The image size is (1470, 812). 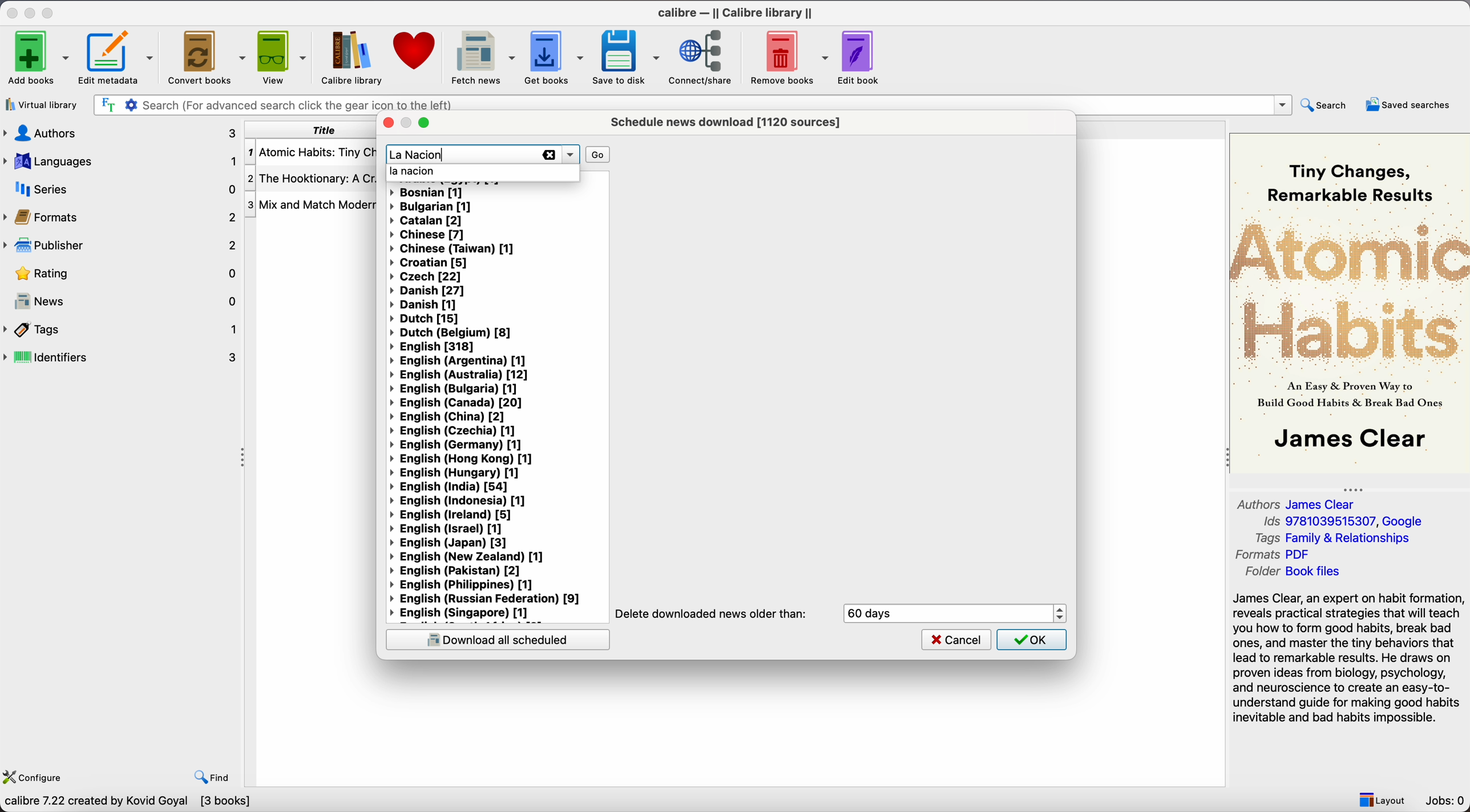 What do you see at coordinates (434, 347) in the screenshot?
I see `English [318]` at bounding box center [434, 347].